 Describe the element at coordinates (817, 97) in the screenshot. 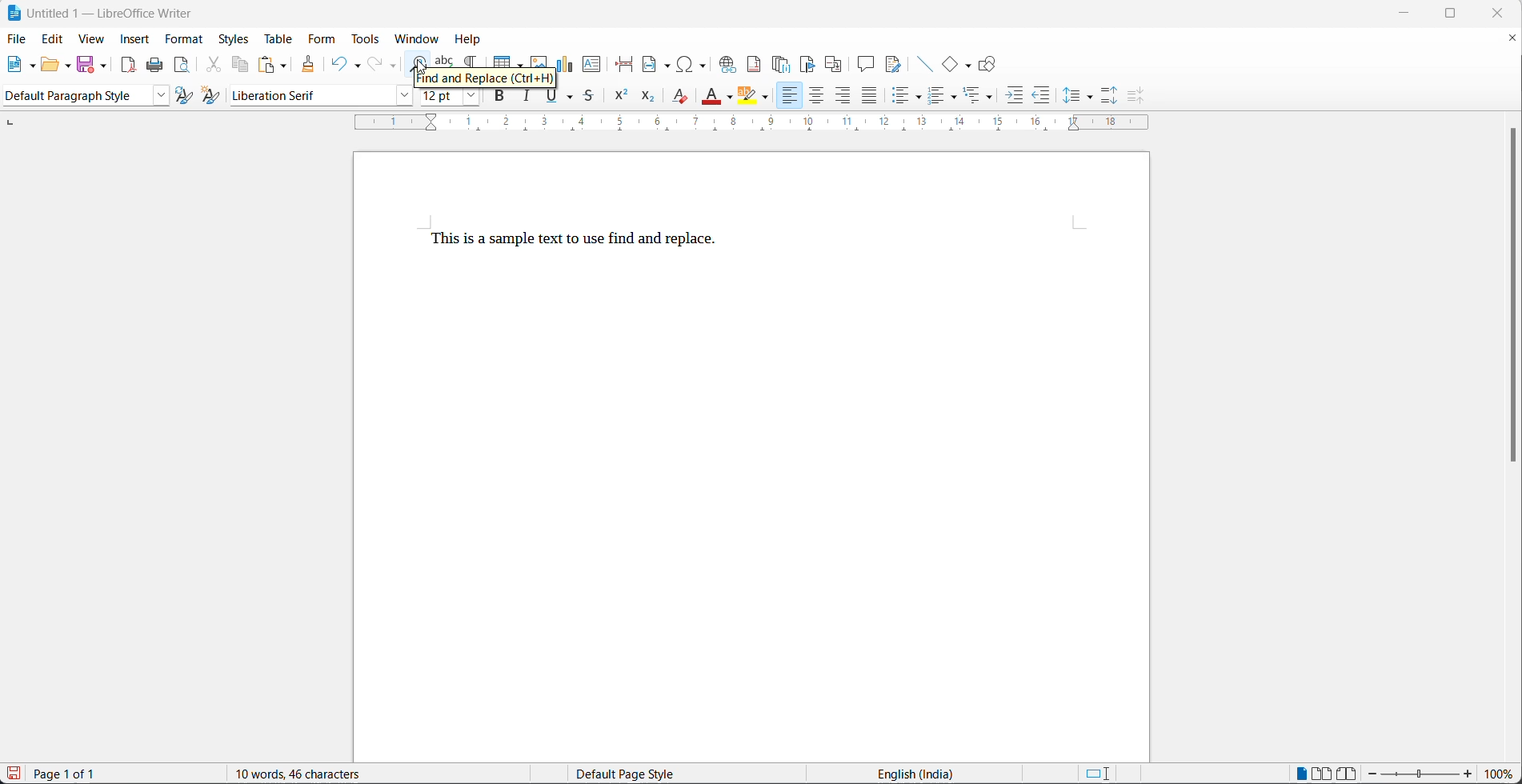

I see `text align center` at that location.